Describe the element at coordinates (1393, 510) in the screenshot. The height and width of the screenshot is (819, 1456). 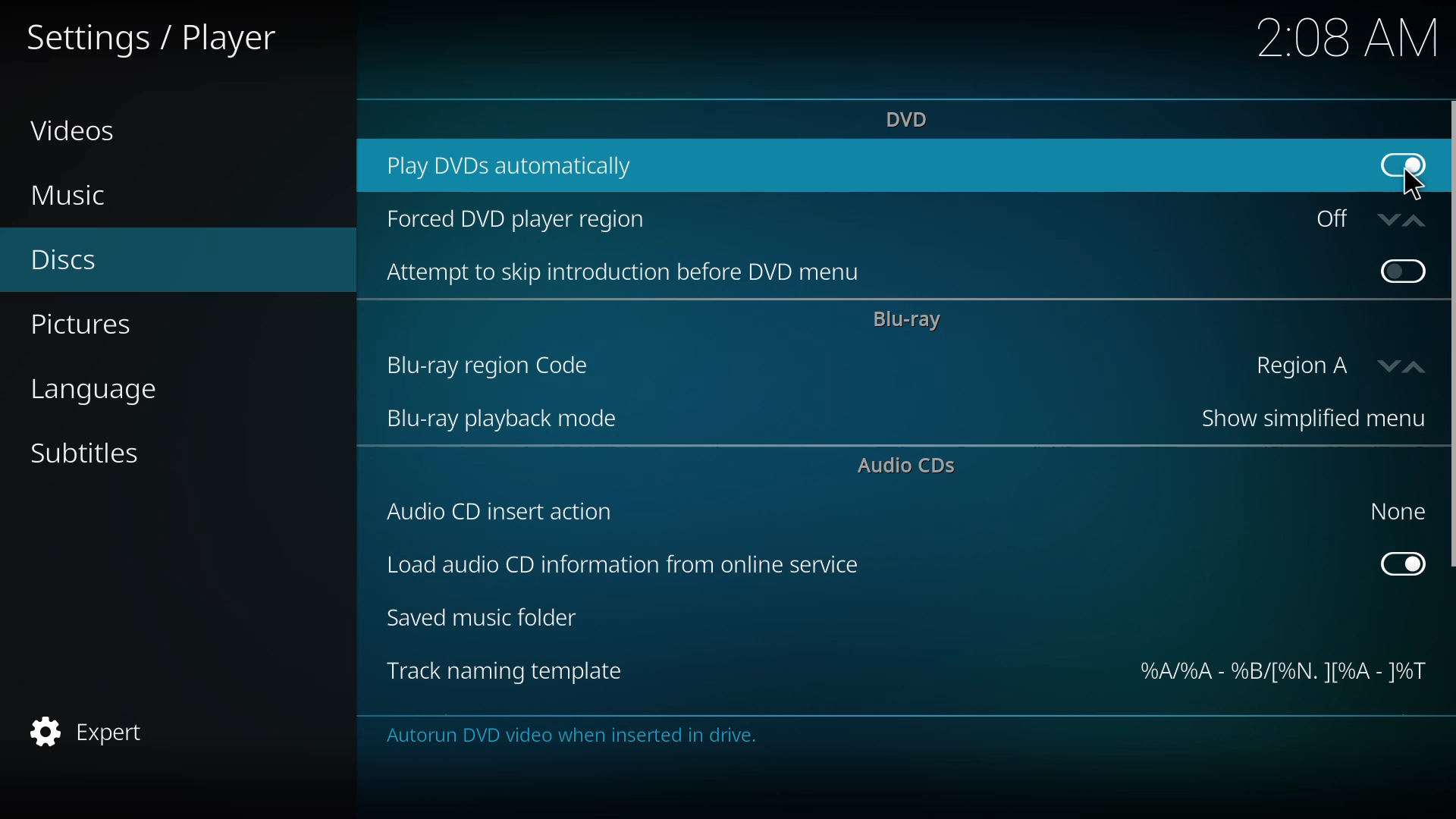
I see `none` at that location.